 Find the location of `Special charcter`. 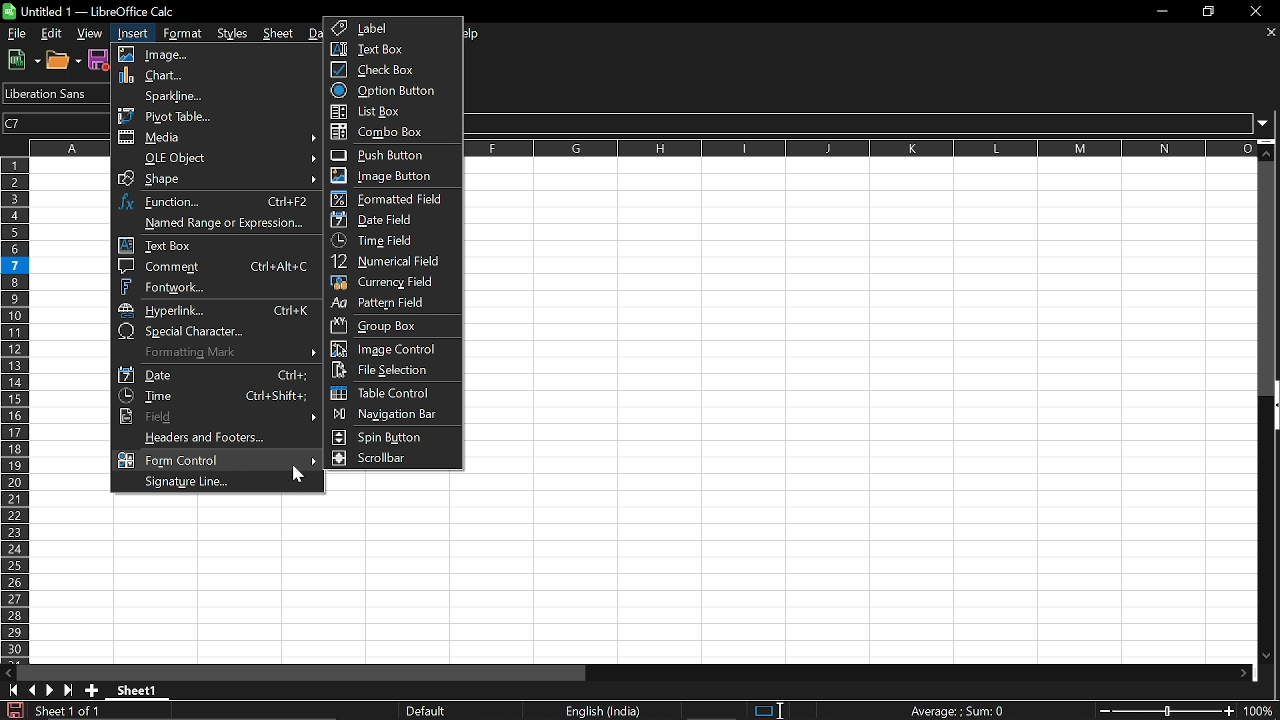

Special charcter is located at coordinates (215, 332).